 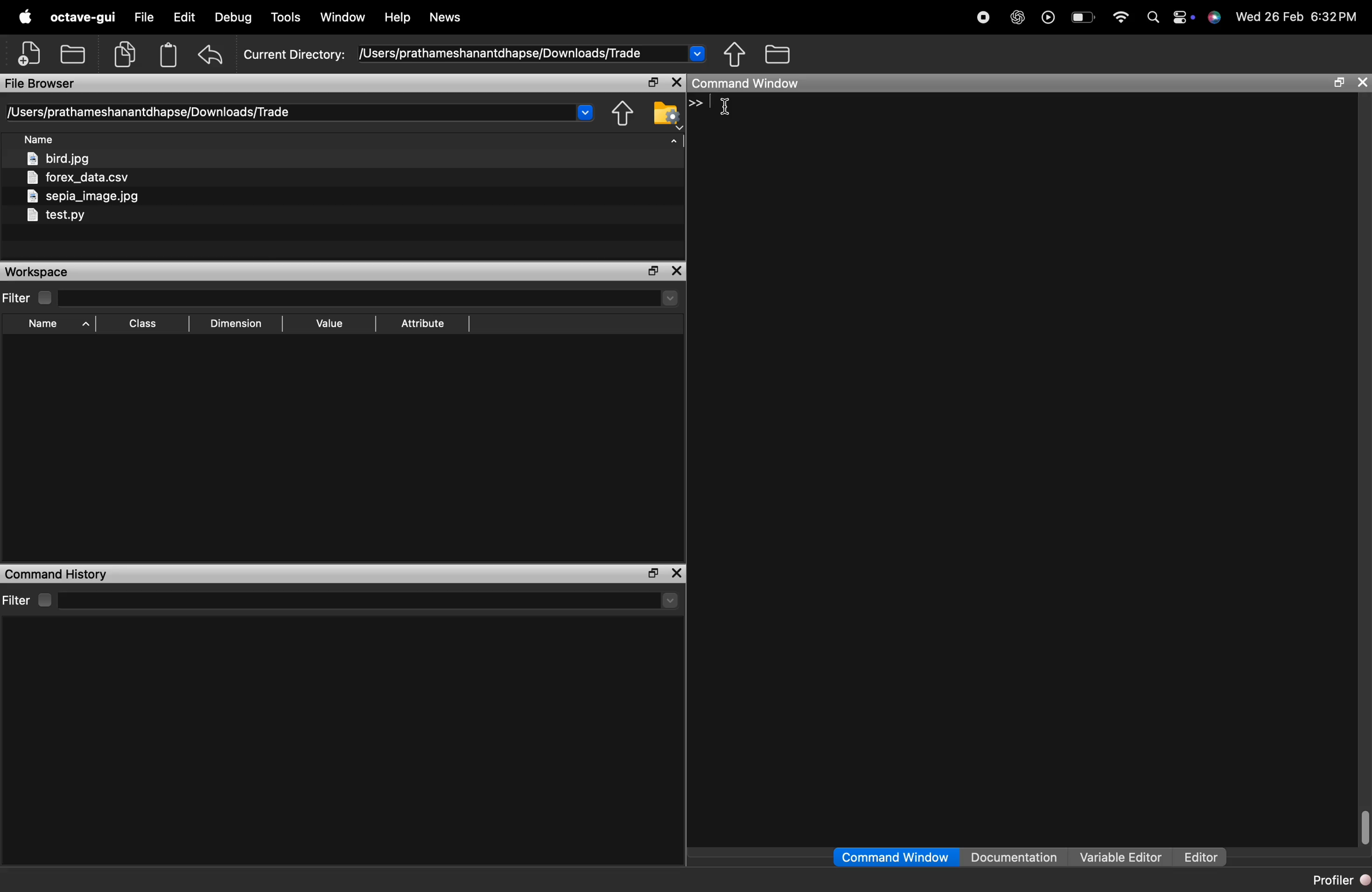 What do you see at coordinates (1047, 17) in the screenshot?
I see `play` at bounding box center [1047, 17].